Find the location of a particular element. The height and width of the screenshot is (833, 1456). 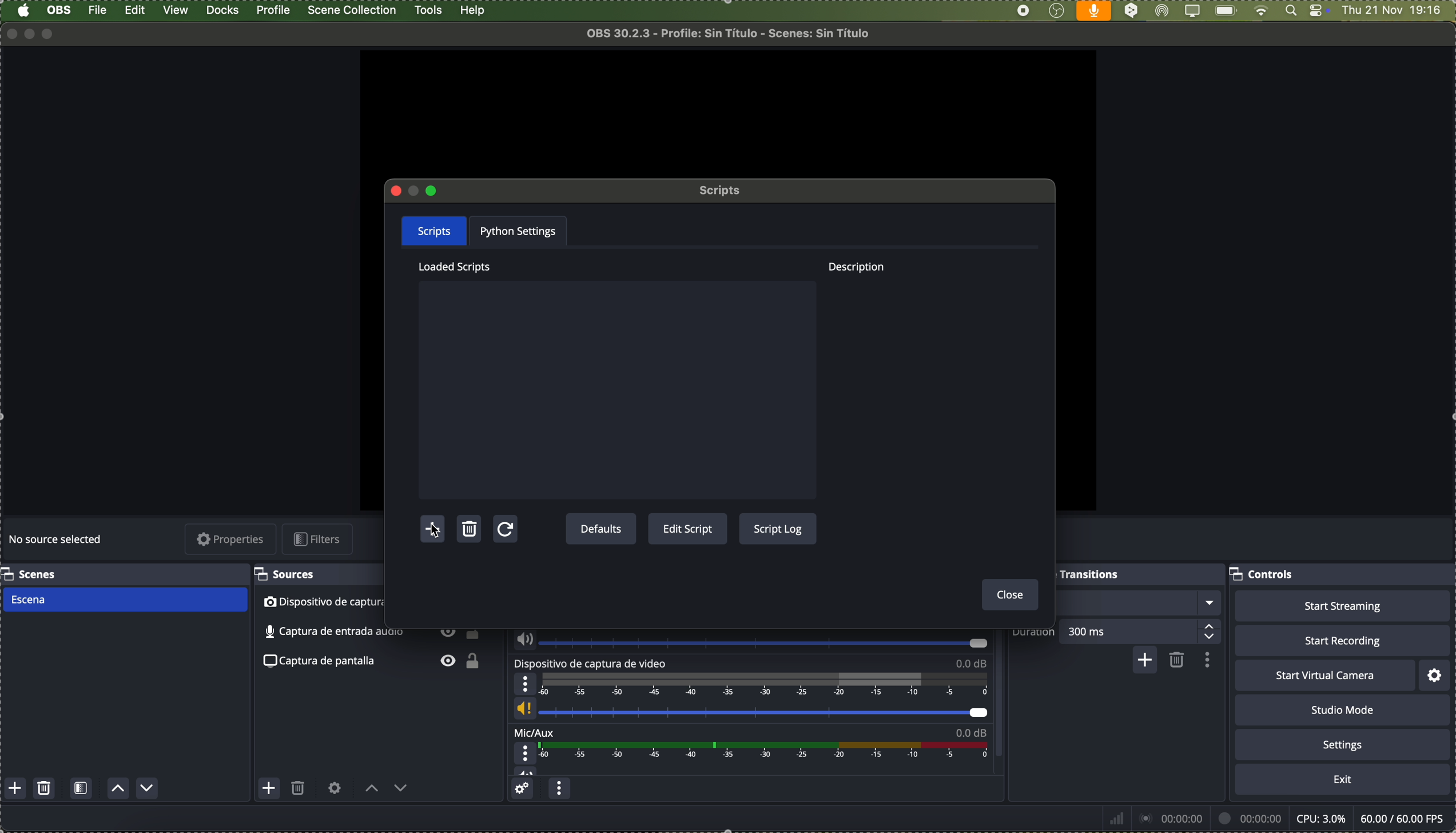

sources is located at coordinates (289, 574).